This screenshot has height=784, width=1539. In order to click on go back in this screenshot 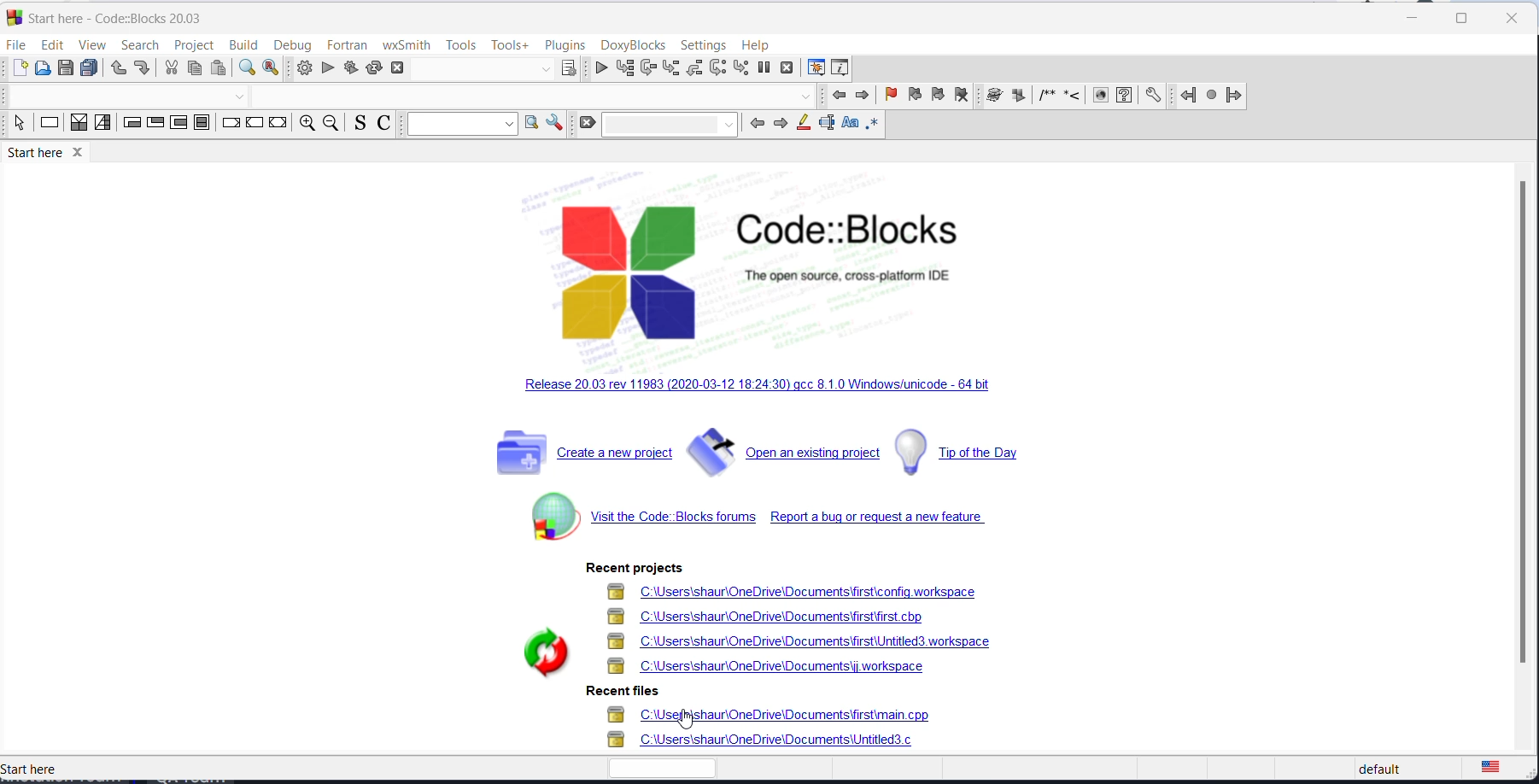, I will do `click(755, 126)`.